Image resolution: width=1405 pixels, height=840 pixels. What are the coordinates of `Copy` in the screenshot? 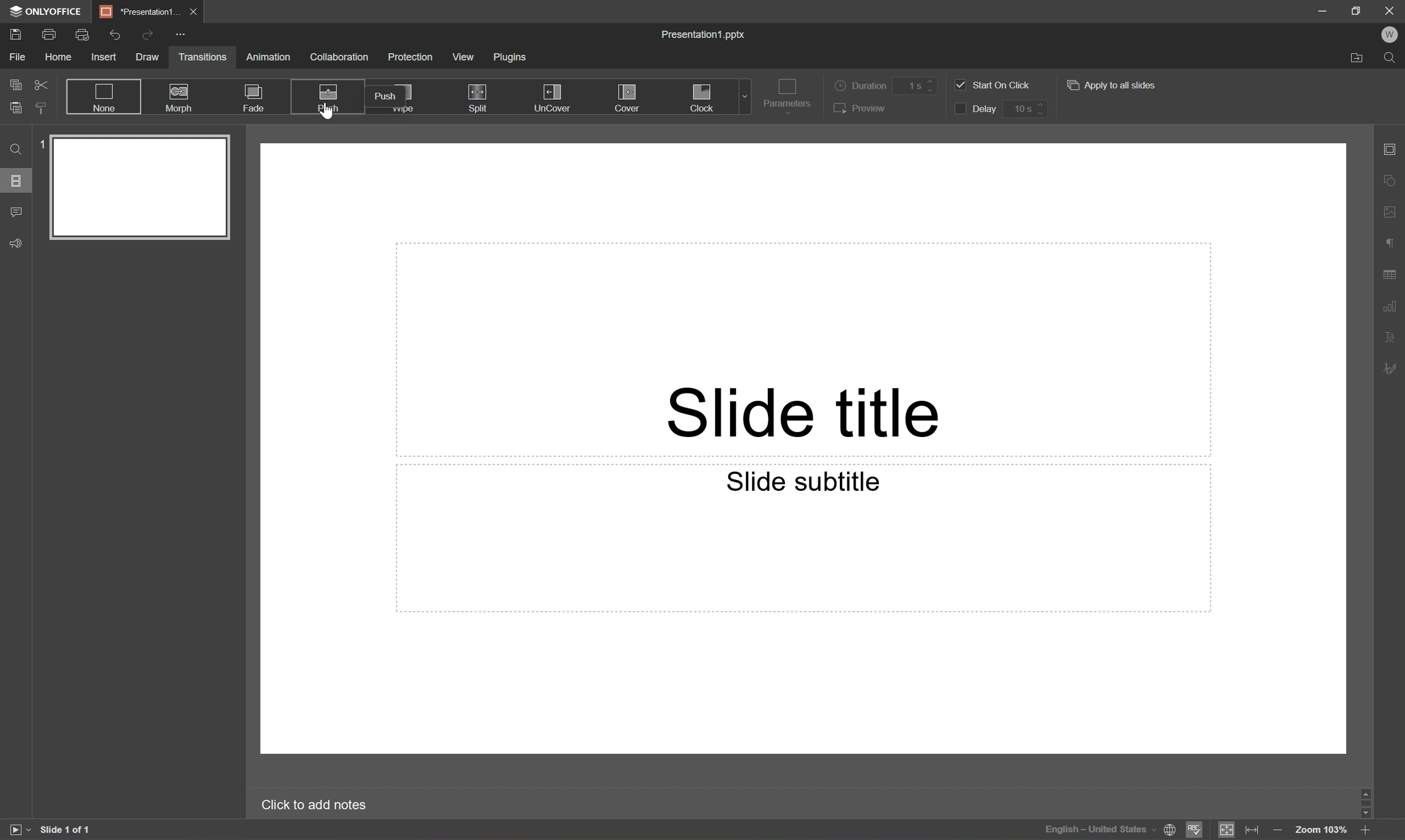 It's located at (15, 83).